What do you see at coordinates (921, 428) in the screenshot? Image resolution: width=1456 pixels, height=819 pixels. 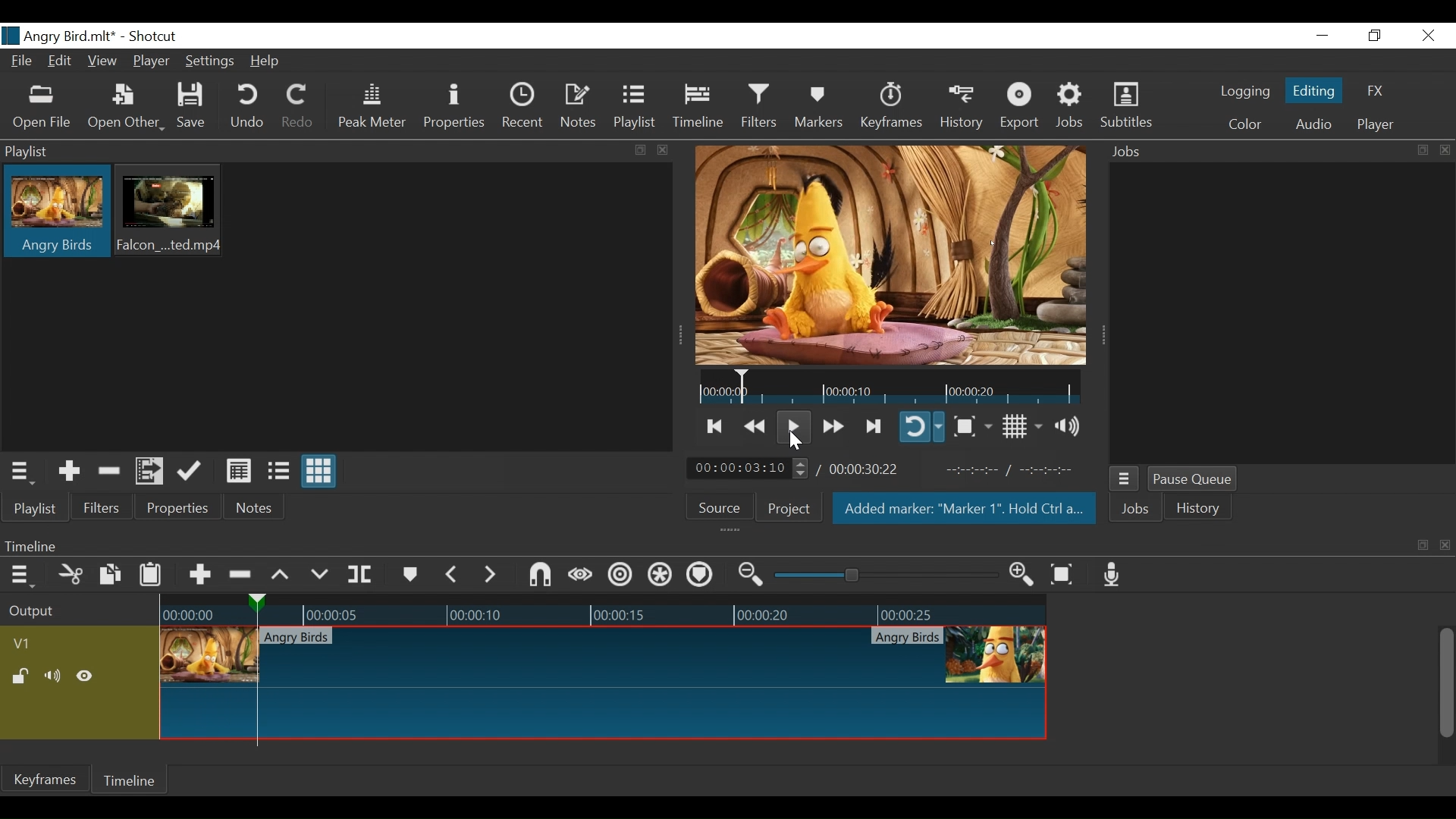 I see `Toggle player looping` at bounding box center [921, 428].